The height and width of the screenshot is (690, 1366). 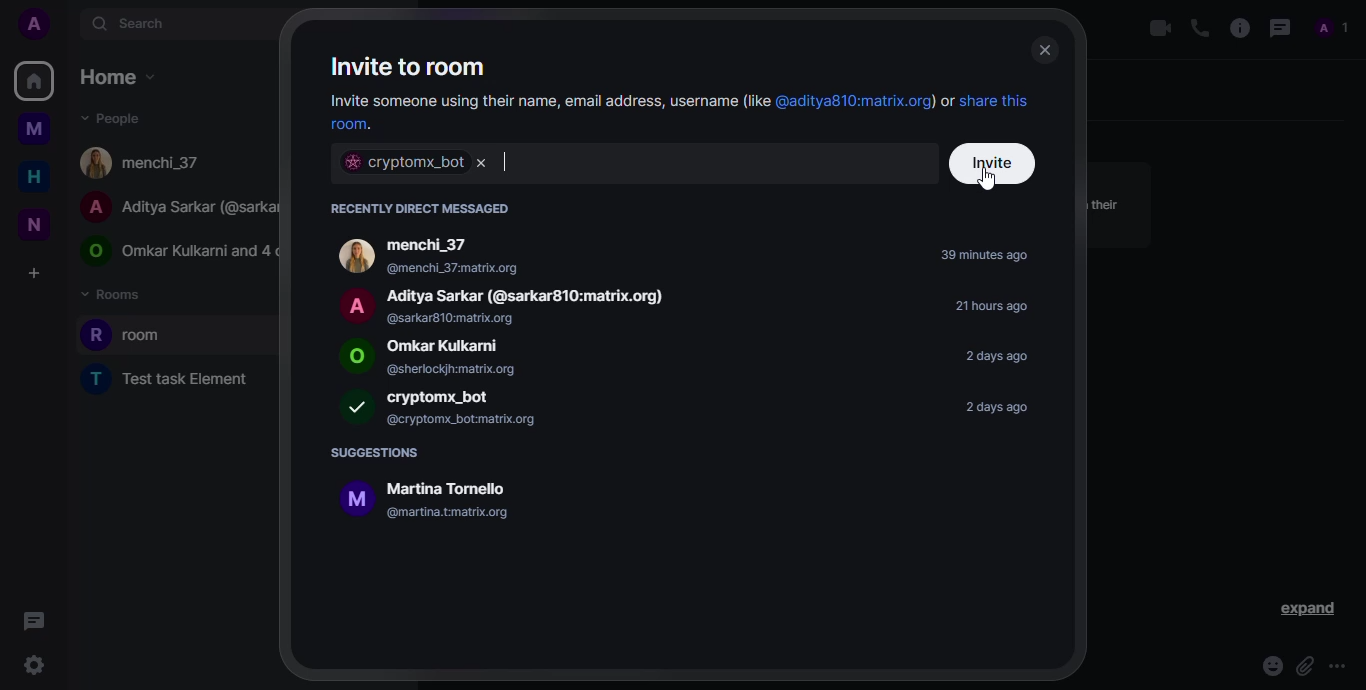 I want to click on quick settings, so click(x=35, y=664).